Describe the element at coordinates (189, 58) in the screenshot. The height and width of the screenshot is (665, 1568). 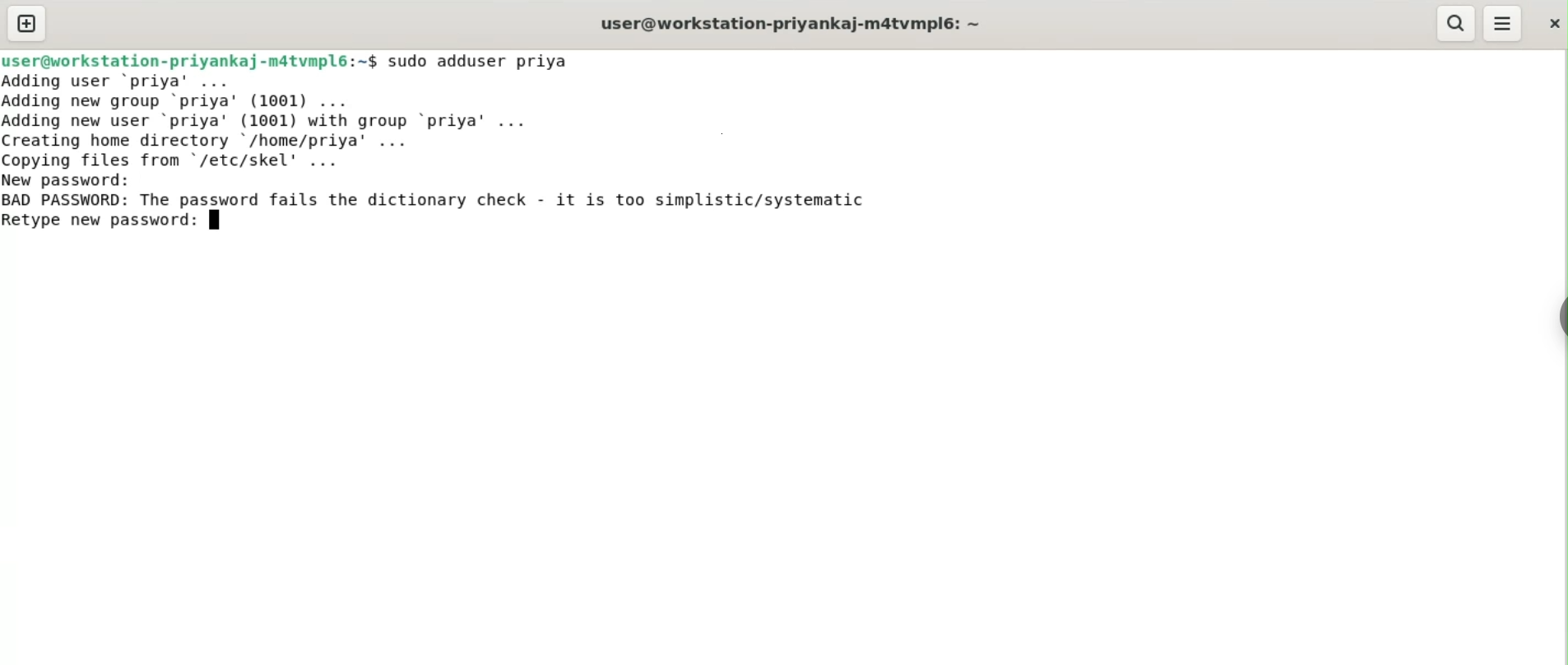
I see `user@workstation-priyankaj-m4tvmpl6:~$` at that location.